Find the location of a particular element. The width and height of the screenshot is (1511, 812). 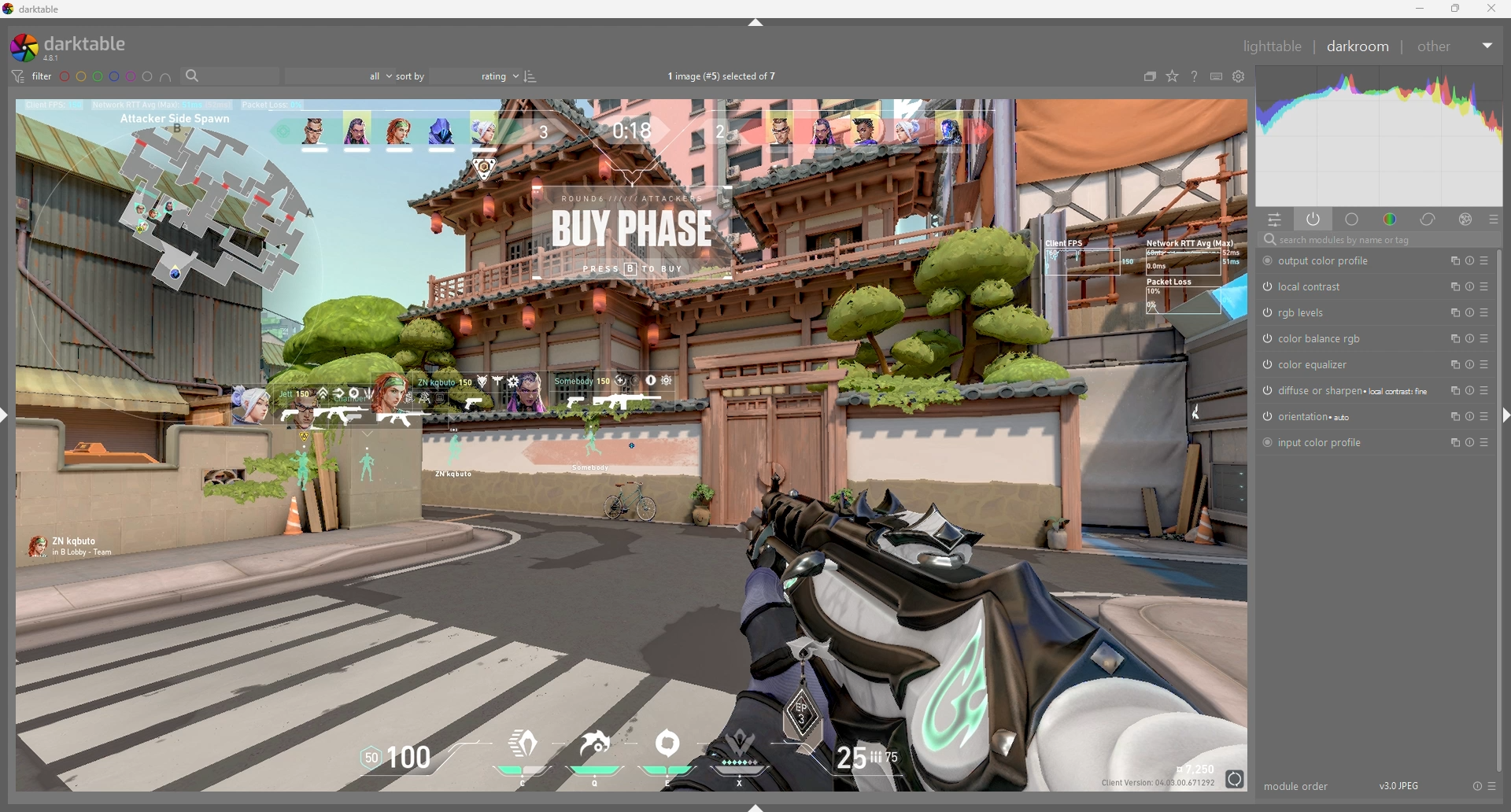

multiple instances actions is located at coordinates (1450, 286).